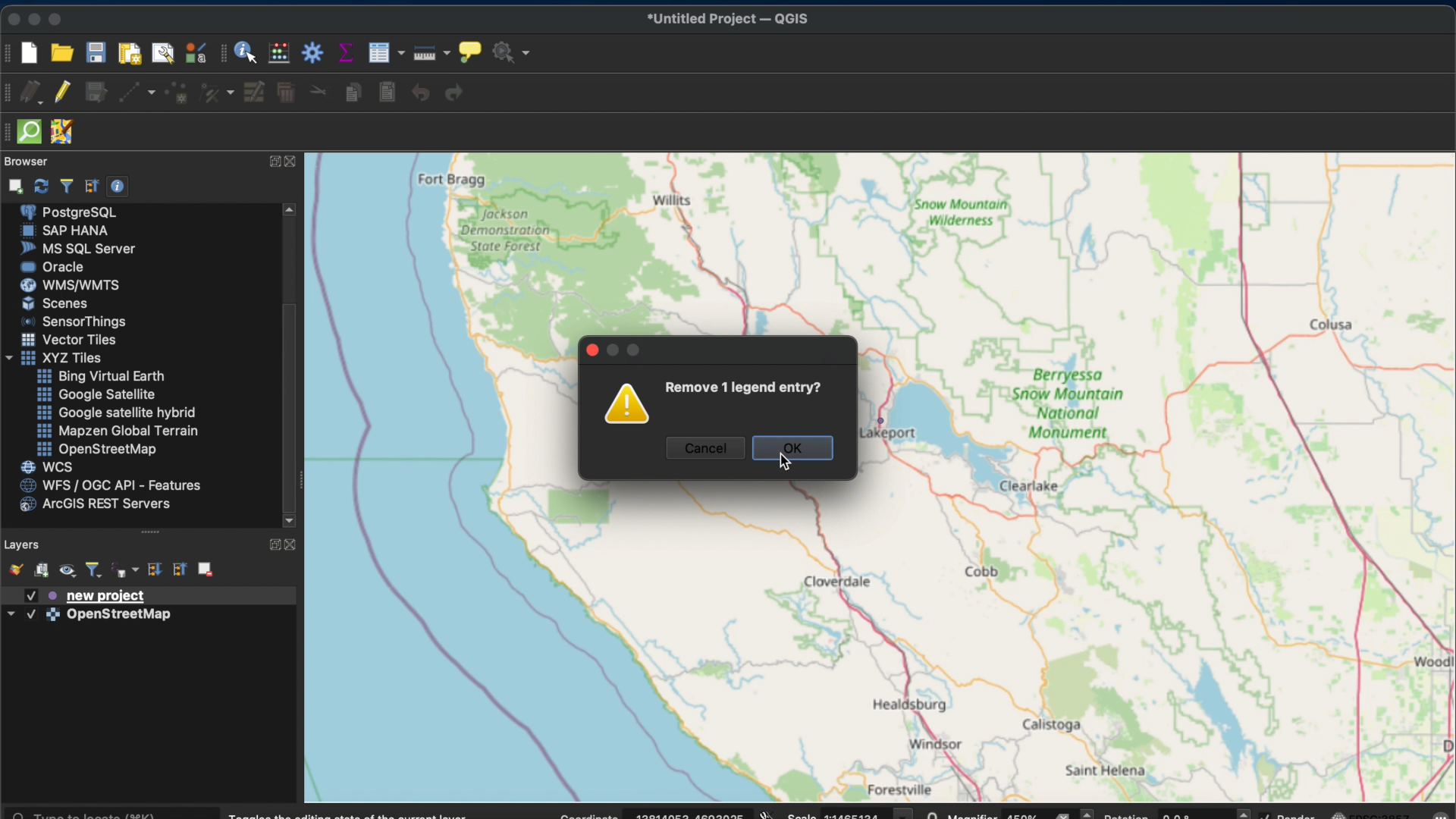  Describe the element at coordinates (293, 367) in the screenshot. I see `SCROLLBAR` at that location.